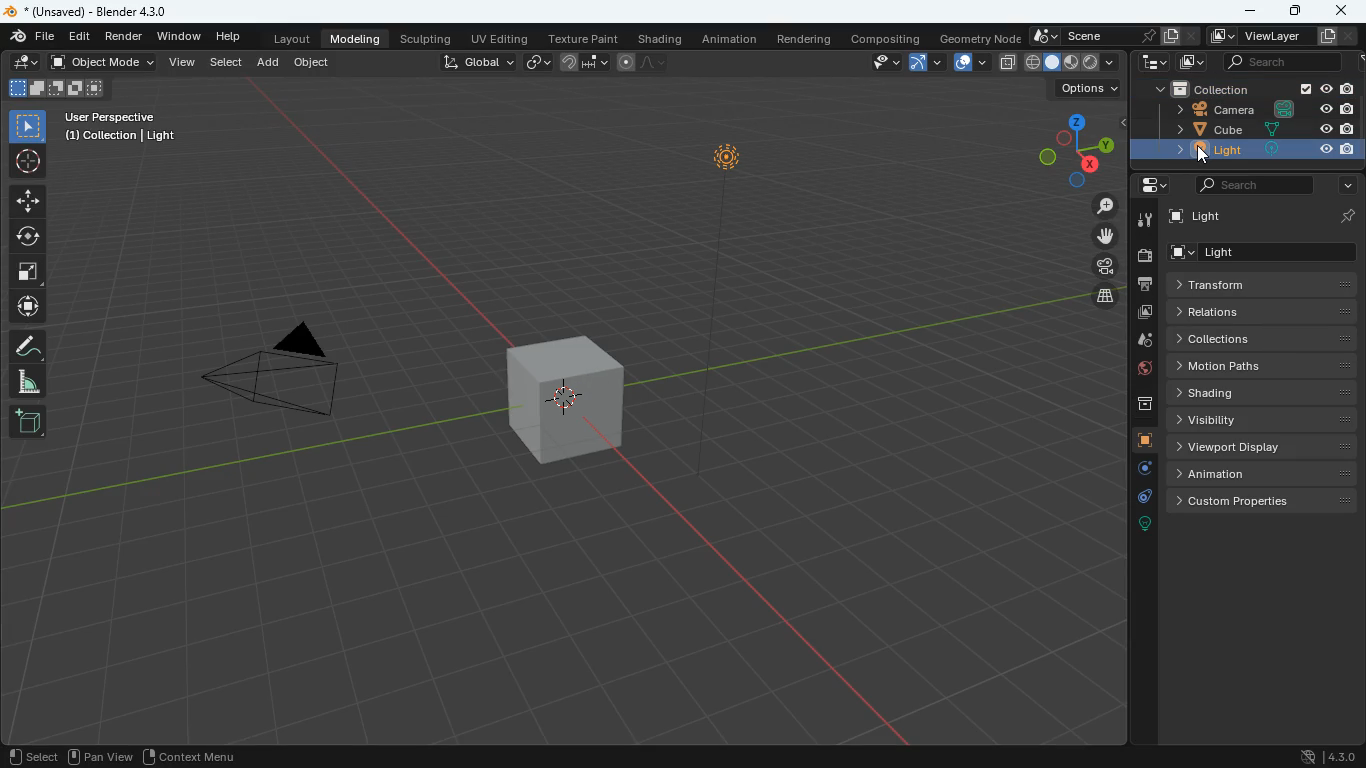 This screenshot has width=1366, height=768. I want to click on collections, so click(1260, 340).